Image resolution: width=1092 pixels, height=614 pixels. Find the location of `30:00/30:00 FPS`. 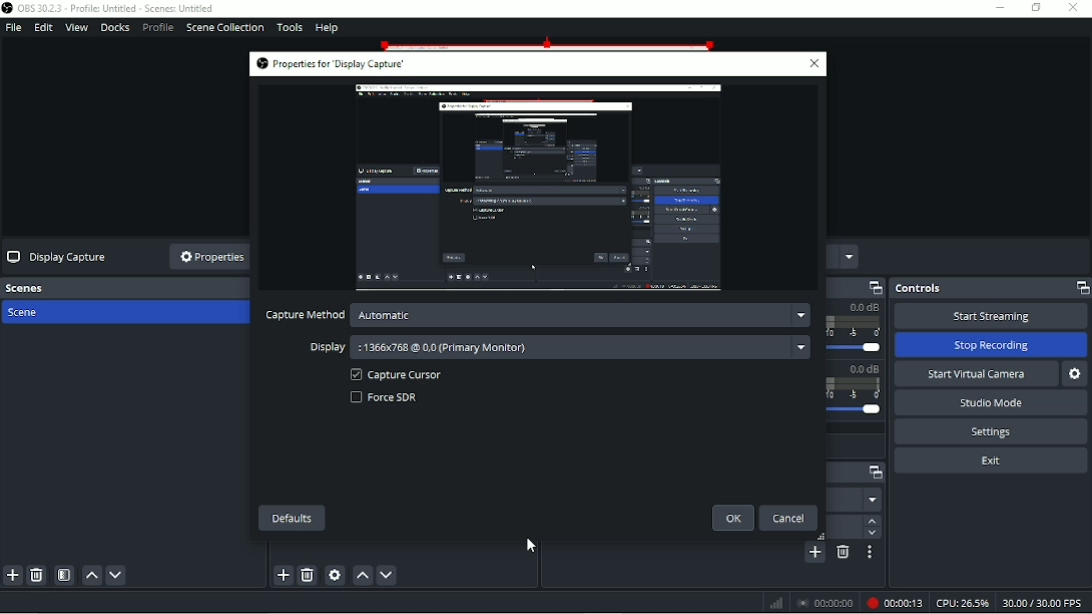

30:00/30:00 FPS is located at coordinates (1047, 603).